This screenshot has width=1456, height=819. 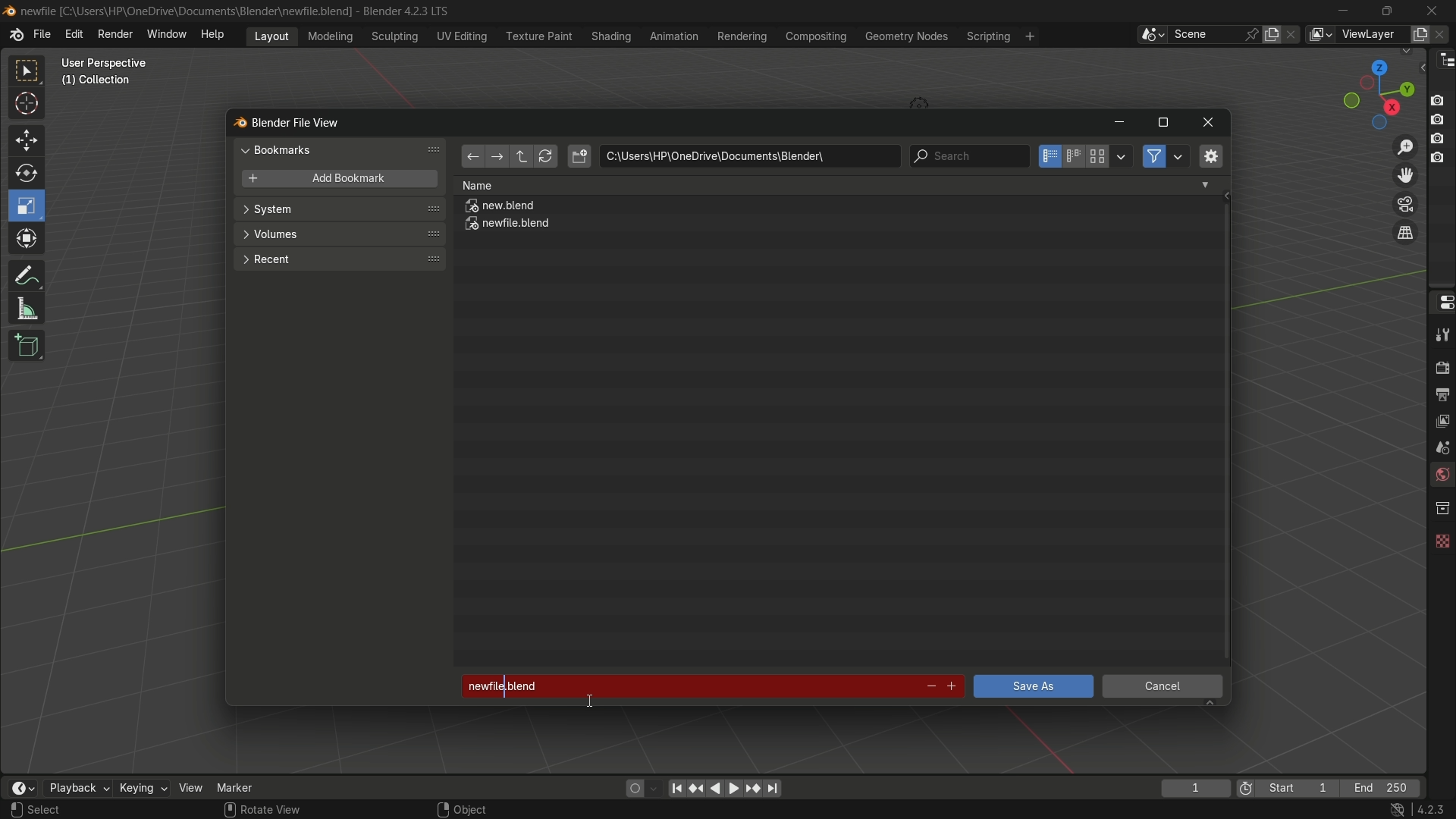 I want to click on rendering menu, so click(x=744, y=36).